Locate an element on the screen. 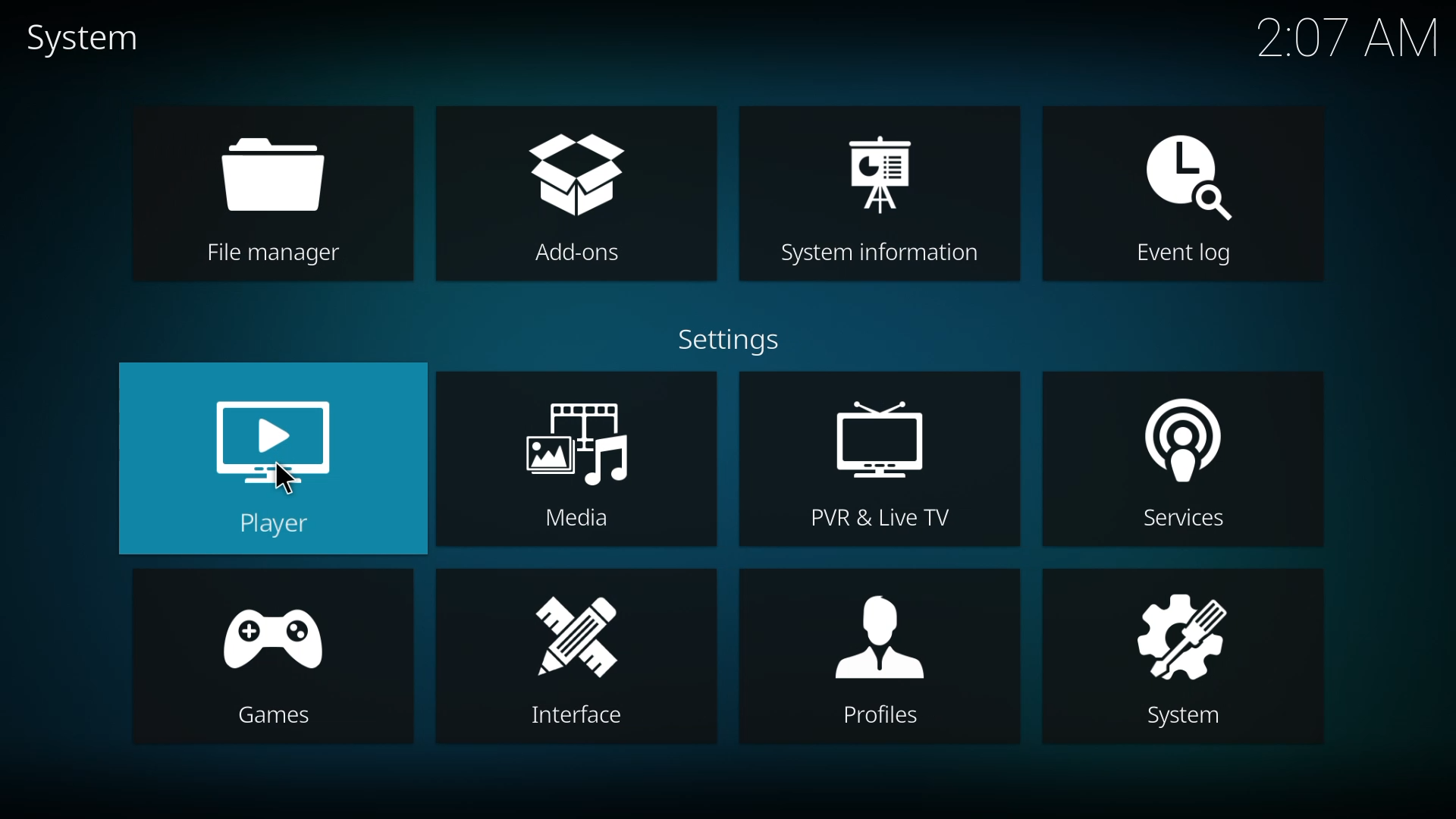 The width and height of the screenshot is (1456, 819). settings is located at coordinates (734, 339).